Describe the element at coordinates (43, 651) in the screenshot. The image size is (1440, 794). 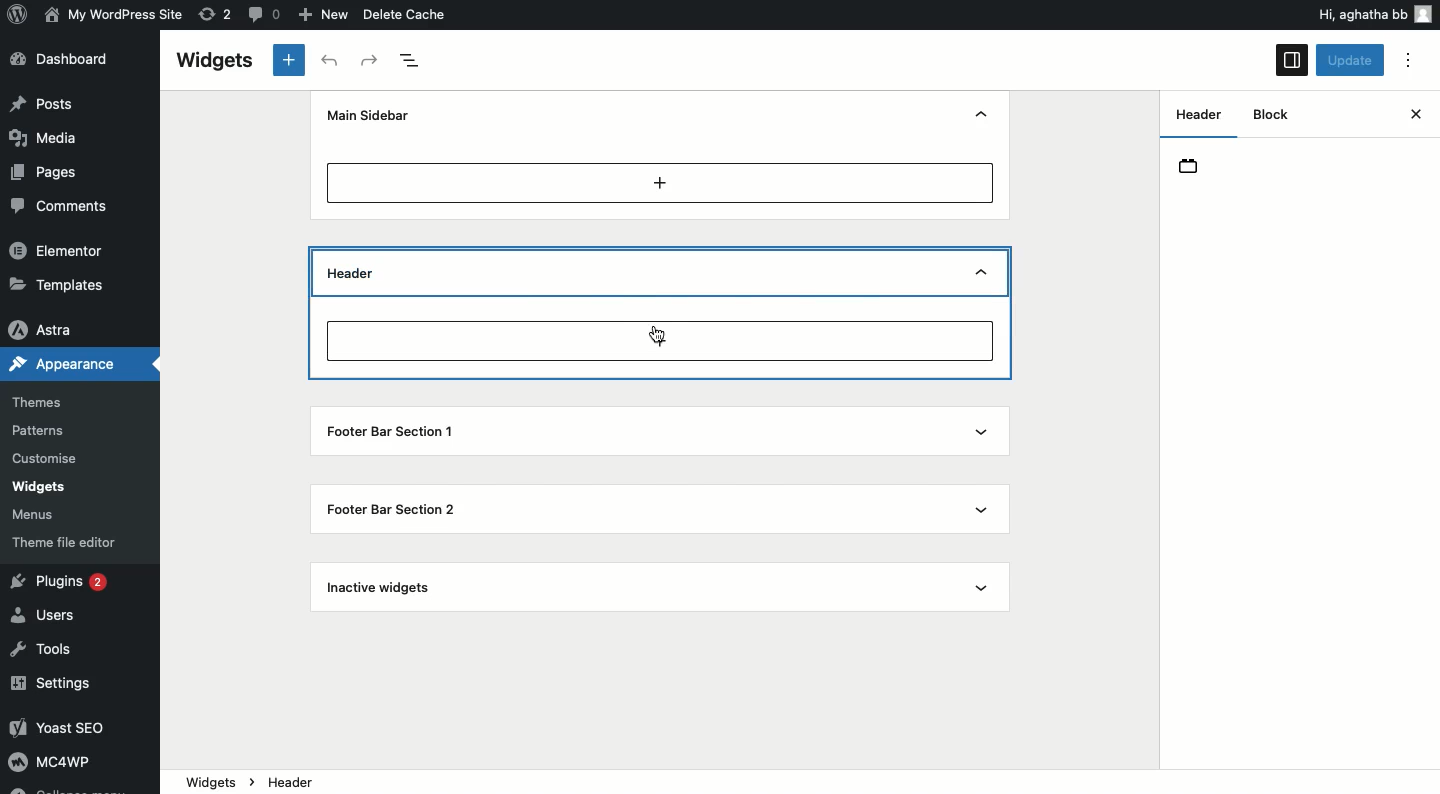
I see `Tools` at that location.